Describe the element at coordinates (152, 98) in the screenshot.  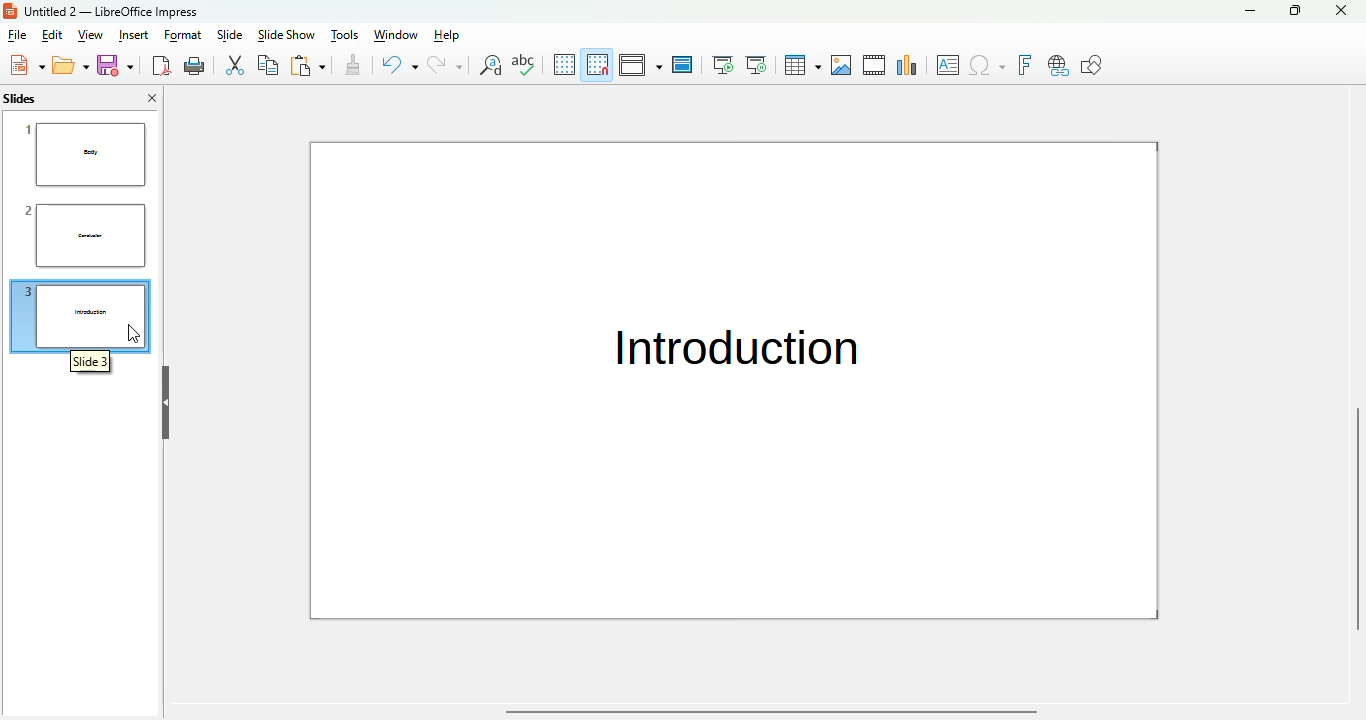
I see `close pane` at that location.